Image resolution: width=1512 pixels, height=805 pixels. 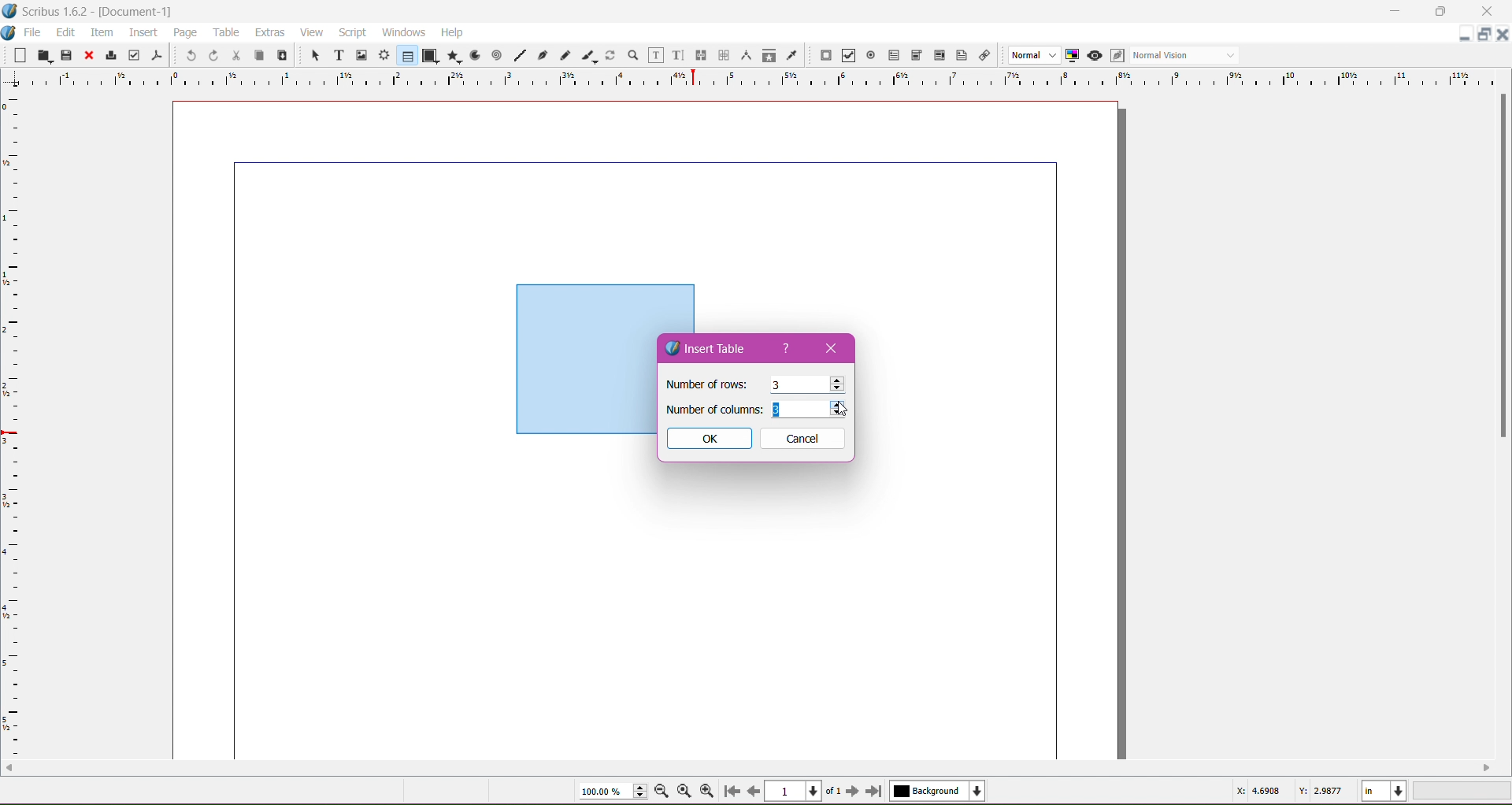 I want to click on PDF combo box, so click(x=913, y=56).